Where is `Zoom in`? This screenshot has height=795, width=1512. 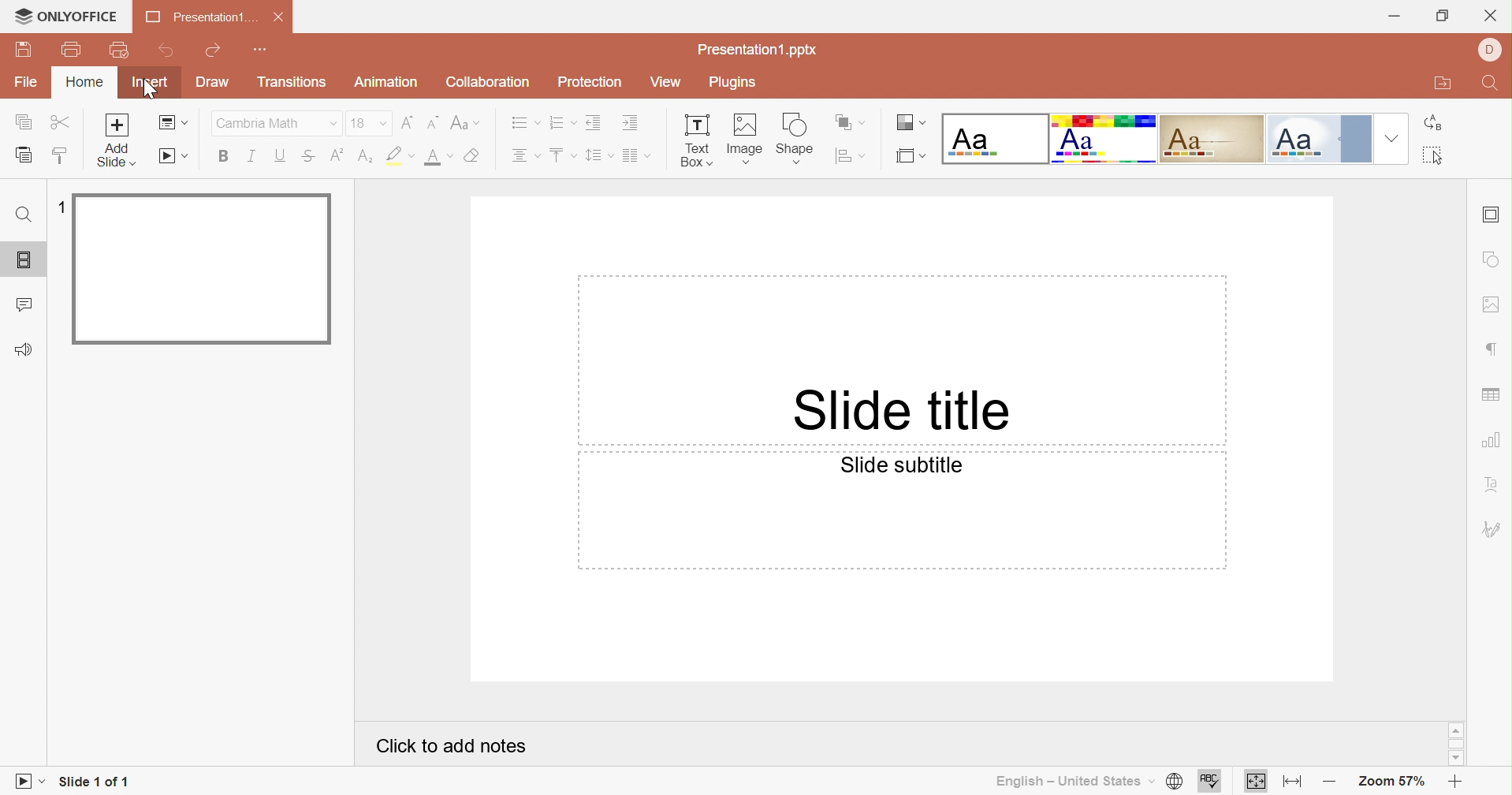 Zoom in is located at coordinates (1456, 783).